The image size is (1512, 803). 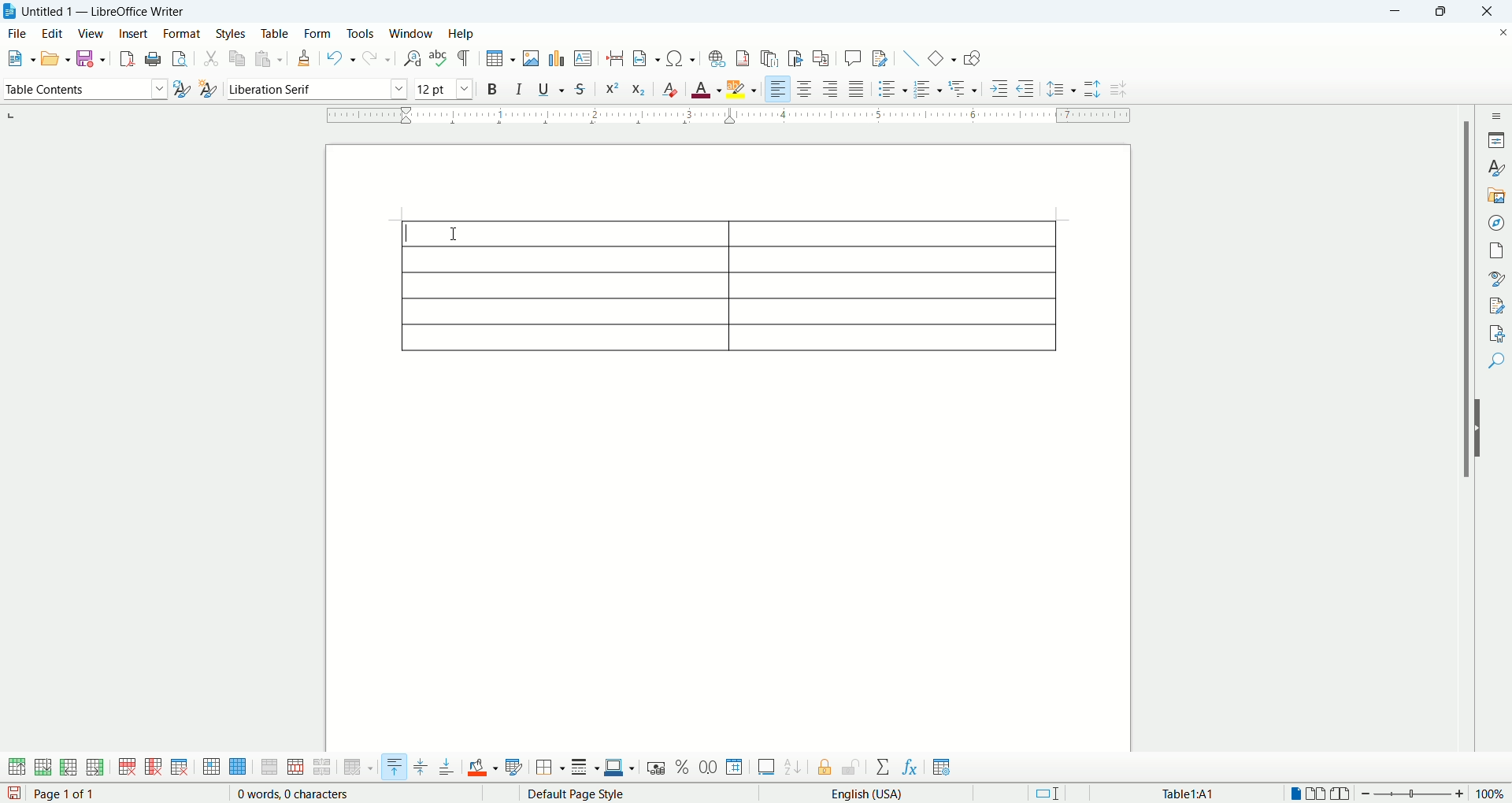 I want to click on font color, so click(x=707, y=87).